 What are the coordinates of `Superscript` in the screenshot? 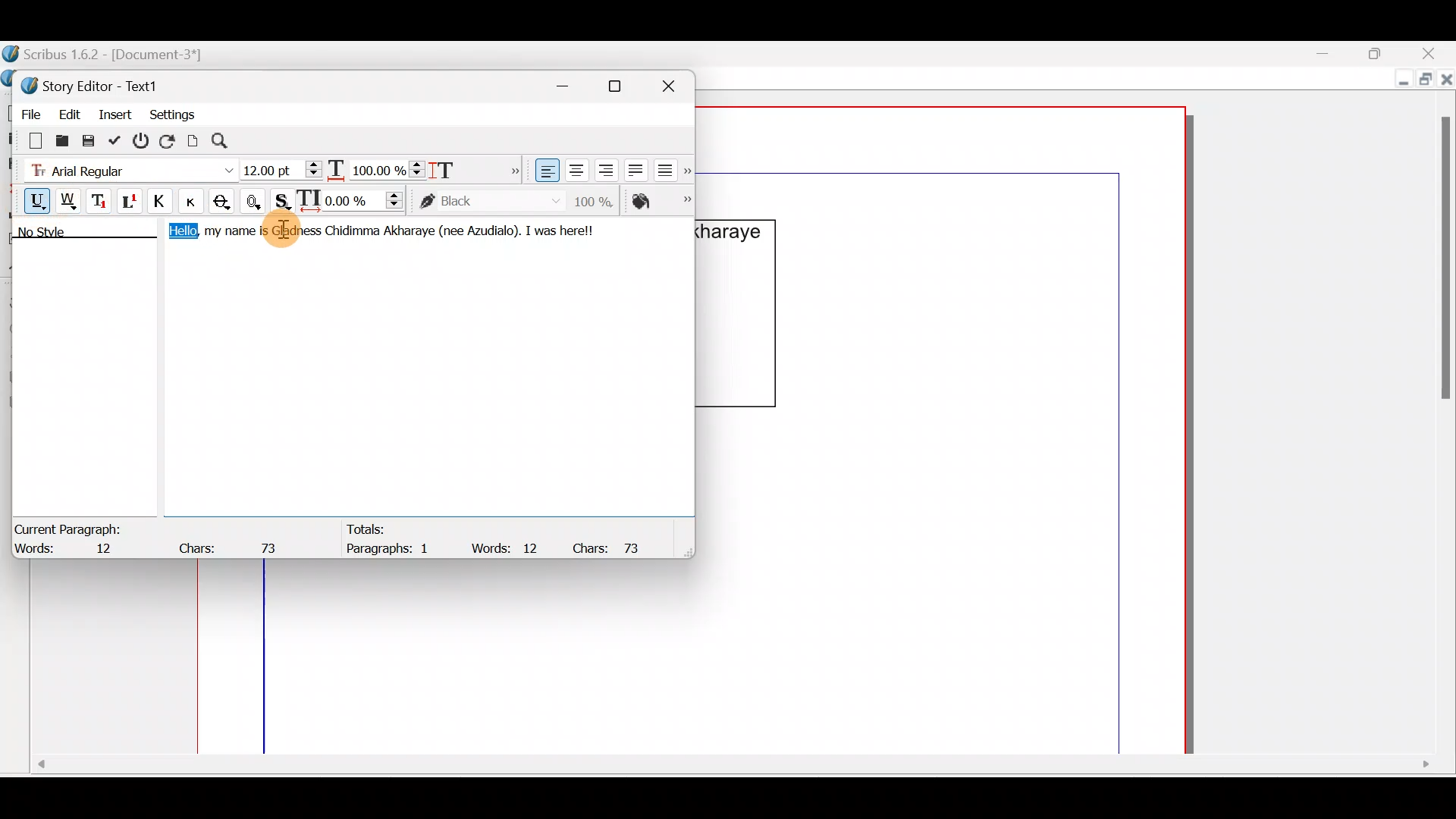 It's located at (131, 203).